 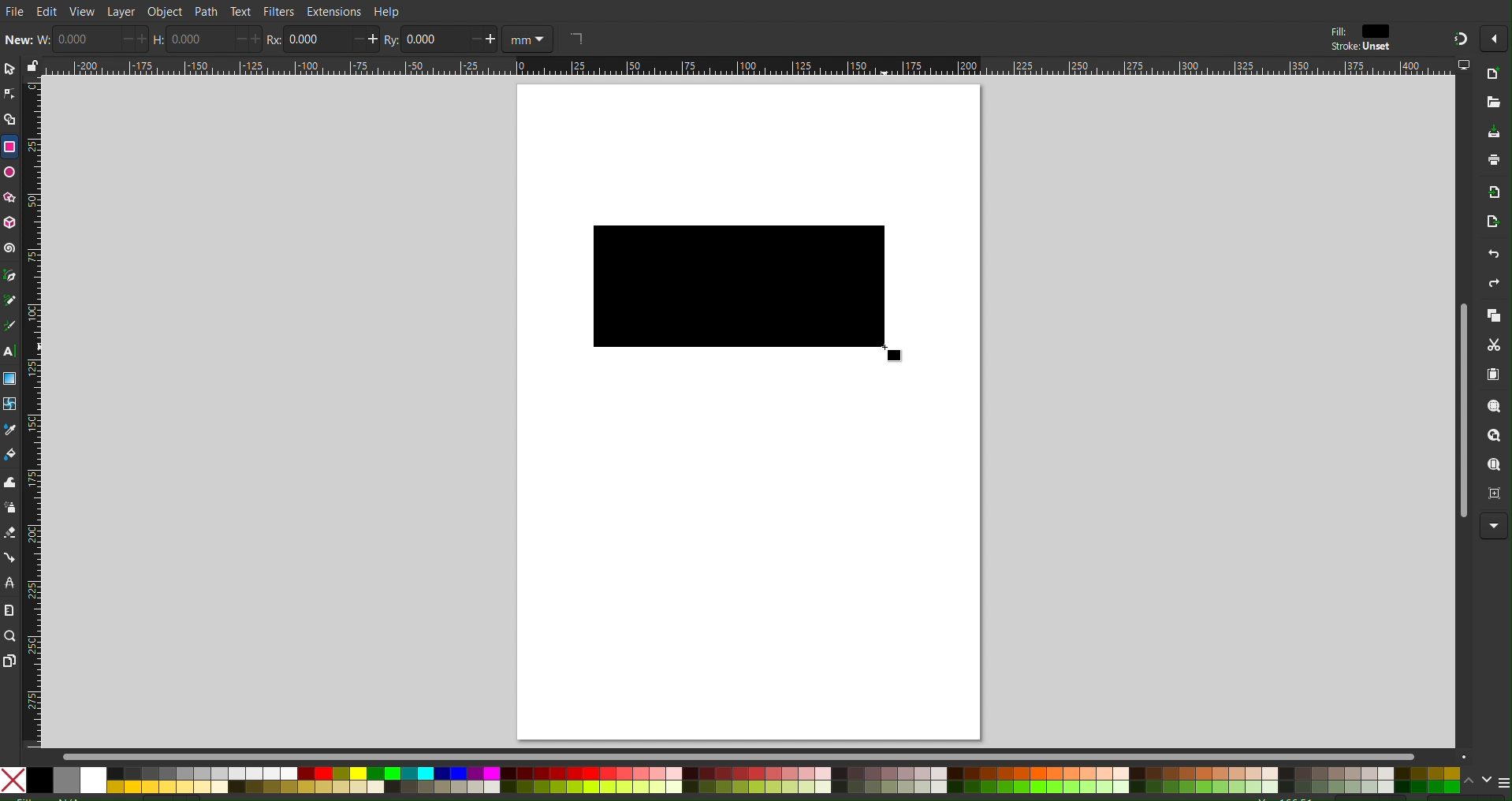 I want to click on increase/decrease, so click(x=249, y=39).